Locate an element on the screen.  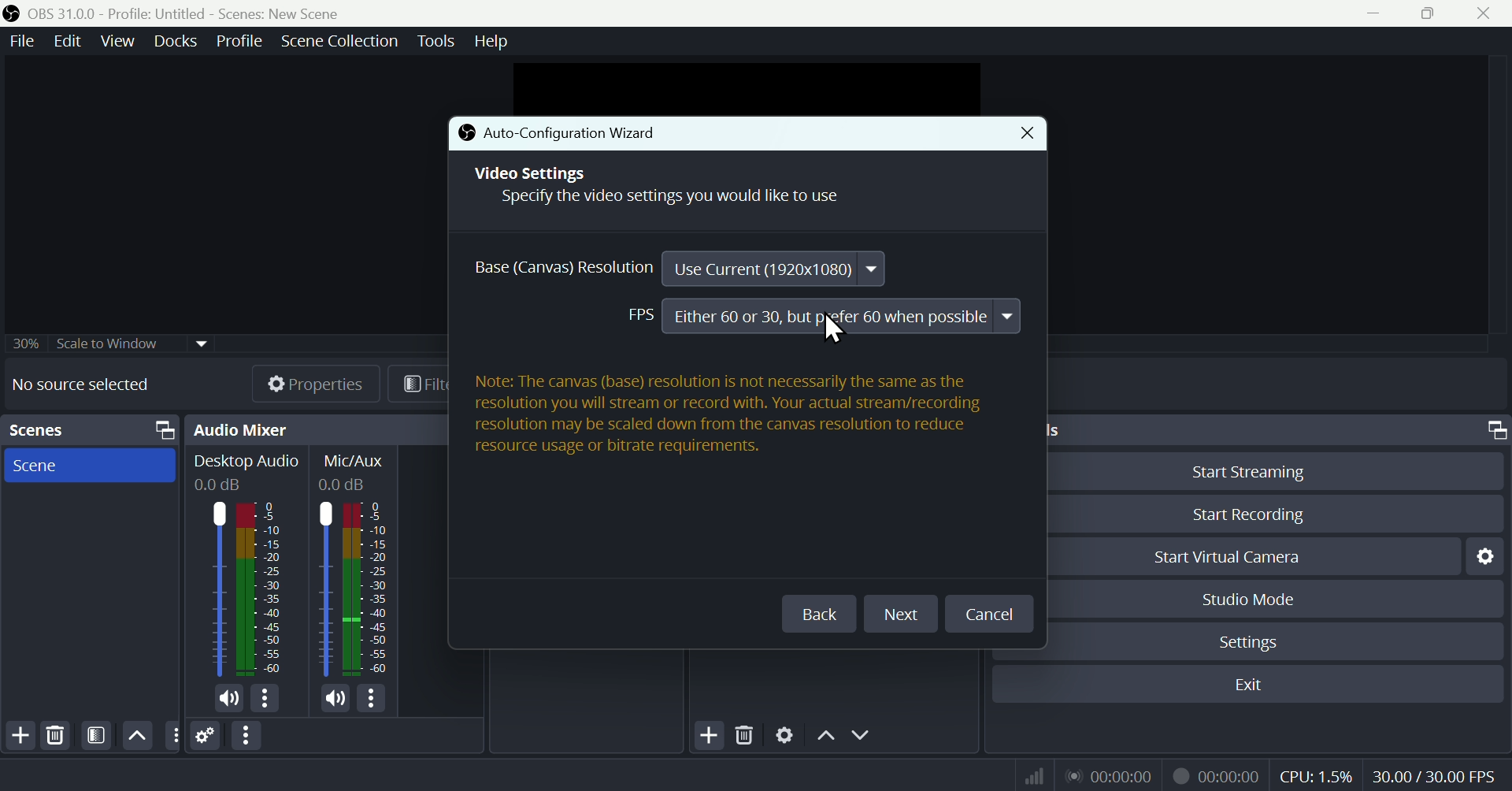
mic is located at coordinates (336, 697).